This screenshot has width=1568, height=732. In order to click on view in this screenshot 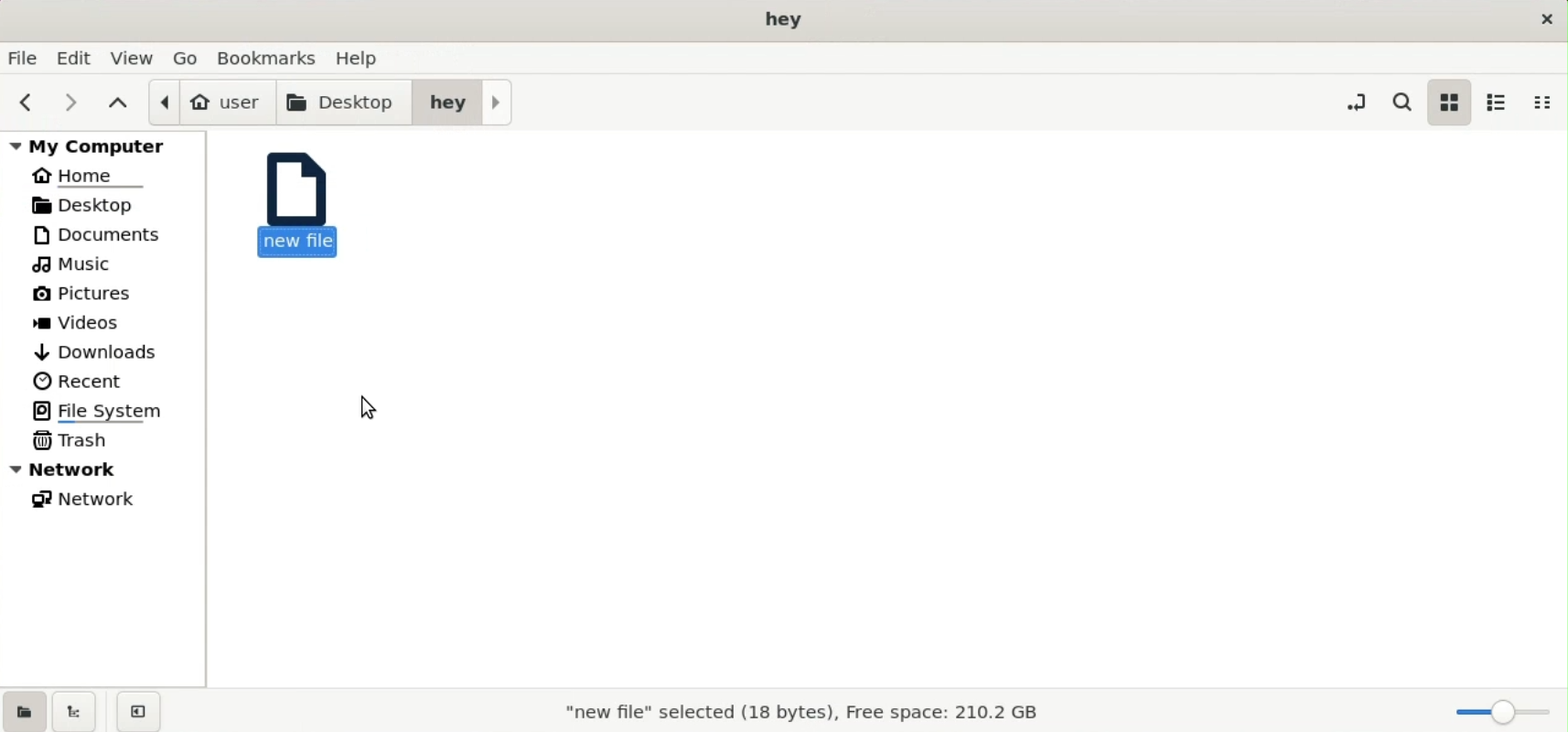, I will do `click(134, 57)`.